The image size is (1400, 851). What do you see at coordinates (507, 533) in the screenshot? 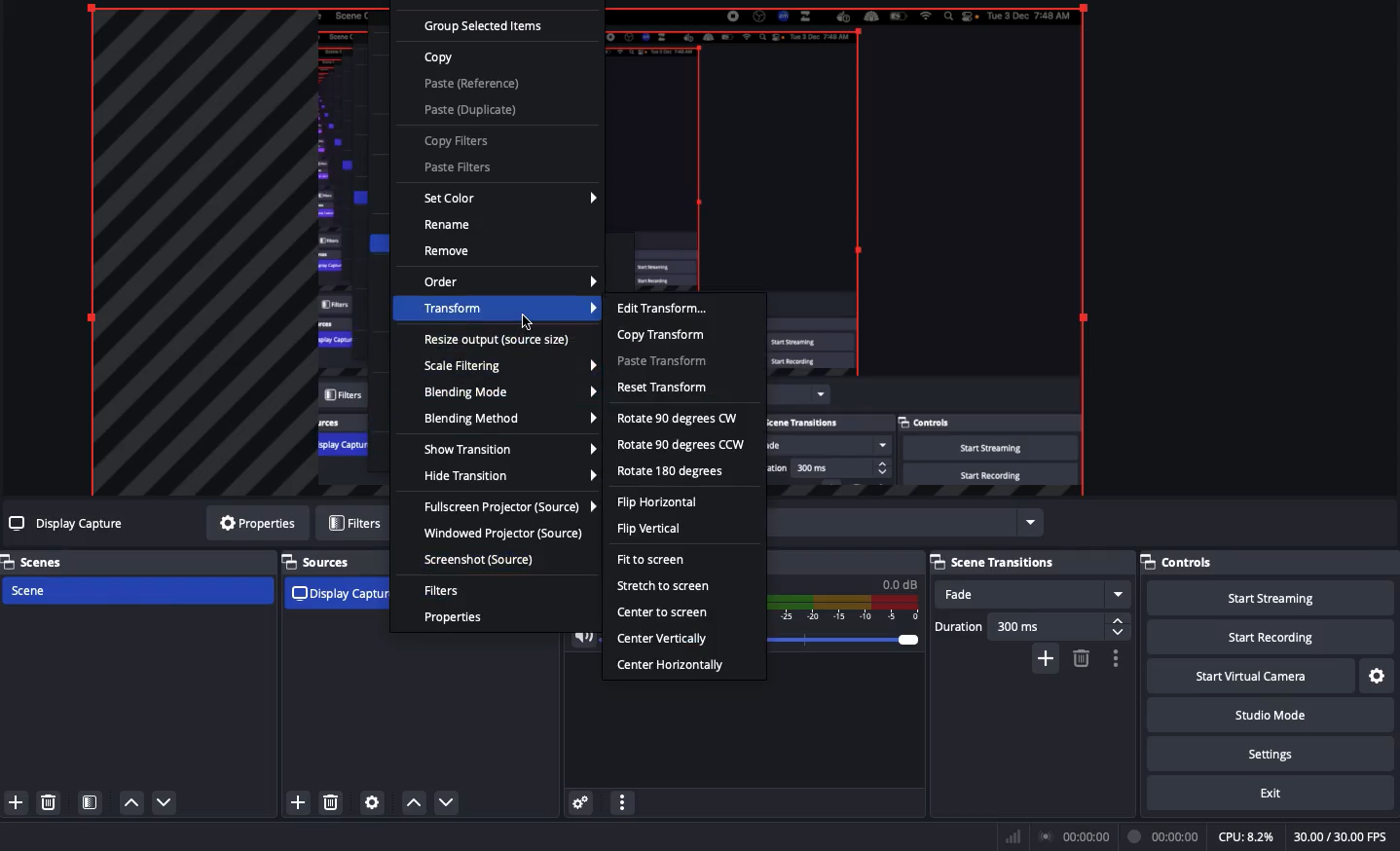
I see `Windowed projector` at bounding box center [507, 533].